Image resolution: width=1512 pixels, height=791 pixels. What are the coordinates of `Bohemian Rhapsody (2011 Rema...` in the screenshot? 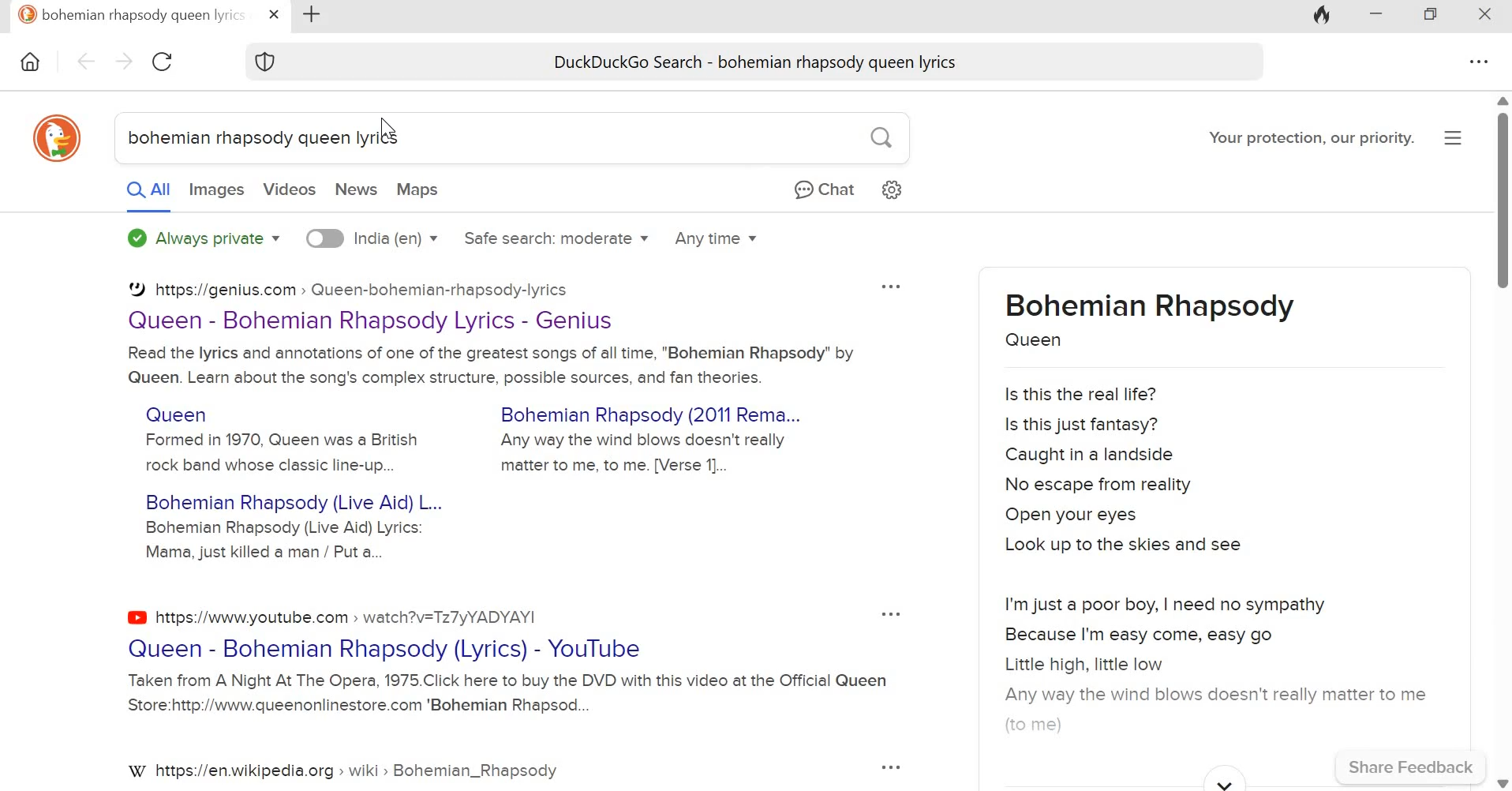 It's located at (650, 415).